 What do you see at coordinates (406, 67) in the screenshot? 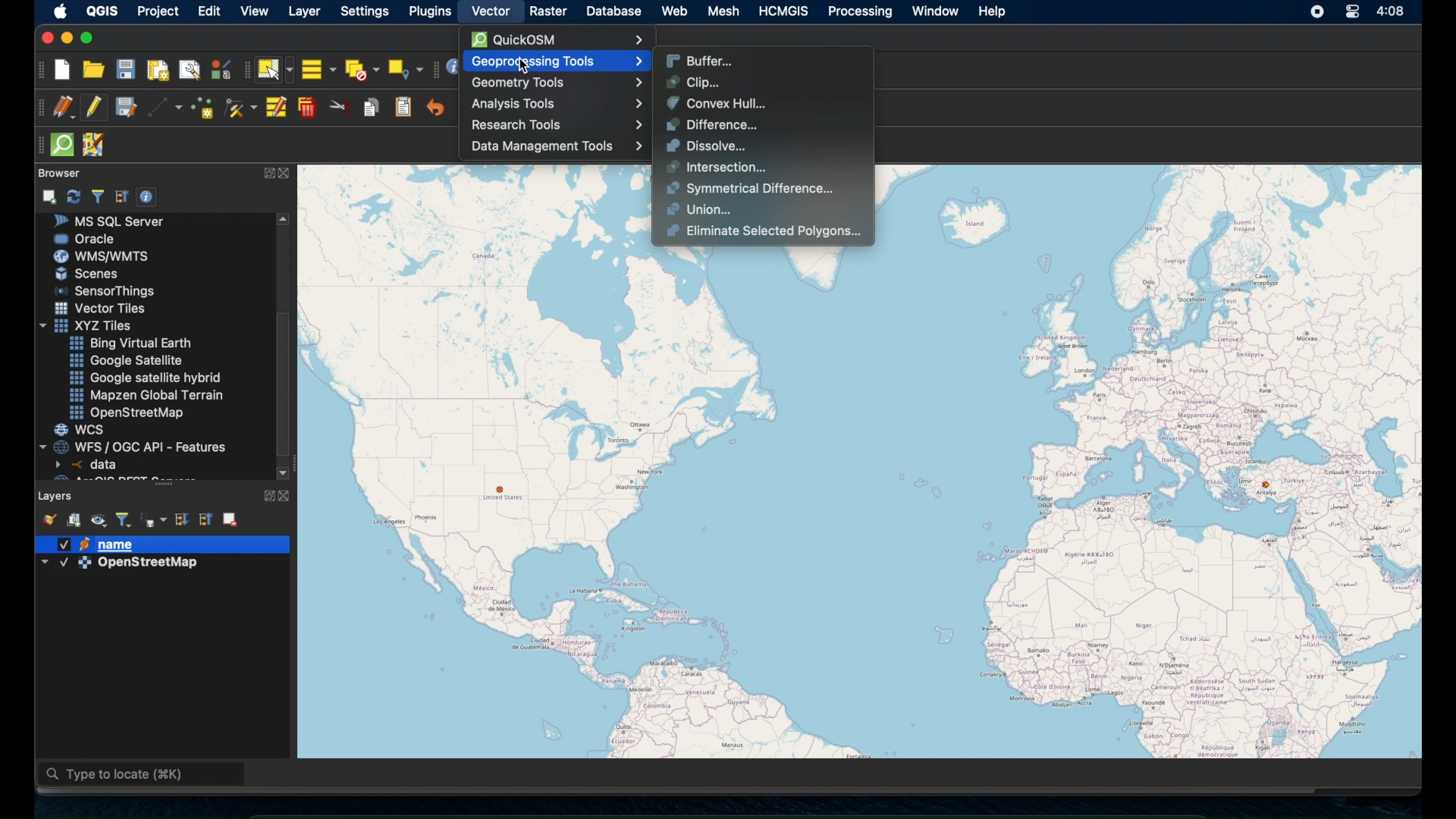
I see `select by location` at bounding box center [406, 67].